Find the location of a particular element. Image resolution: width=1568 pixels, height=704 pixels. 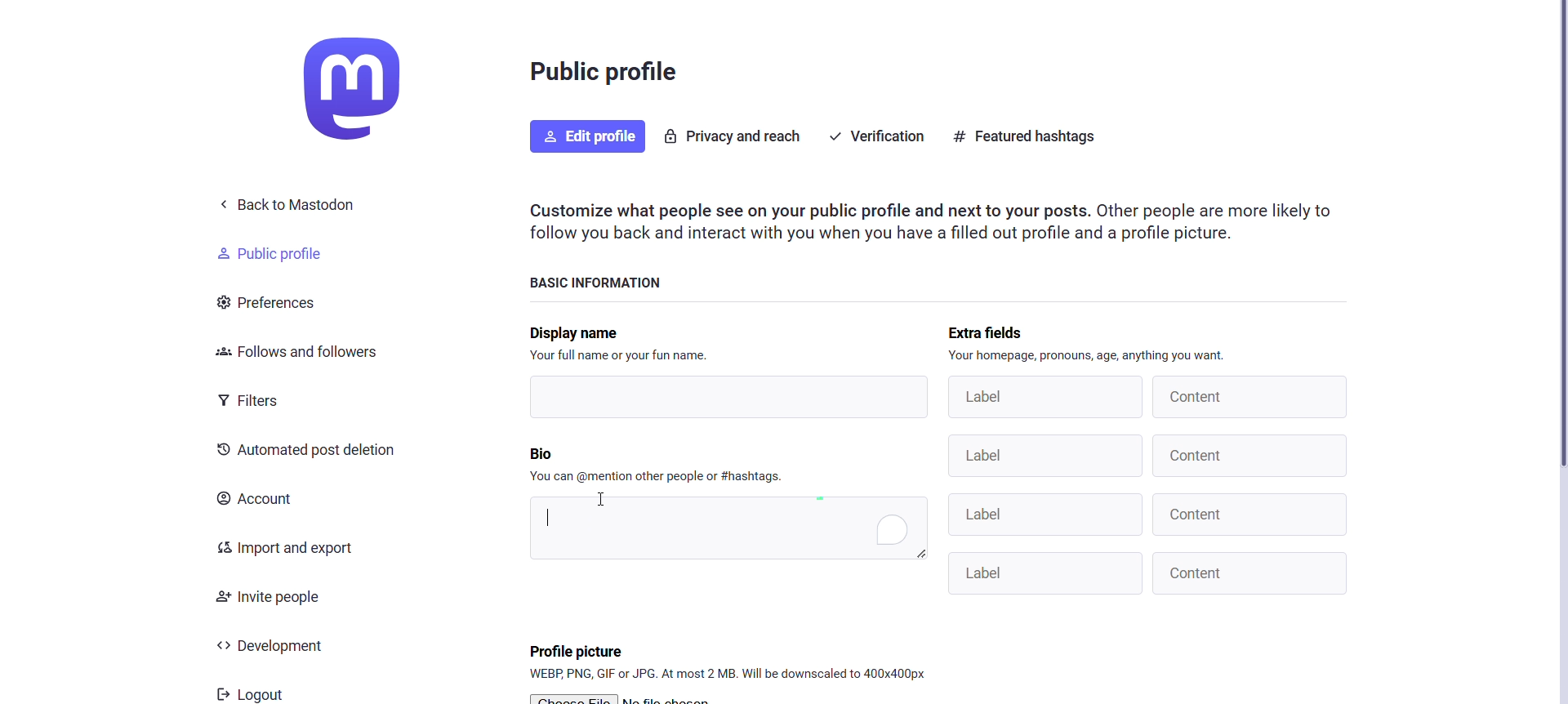

text box is located at coordinates (719, 398).